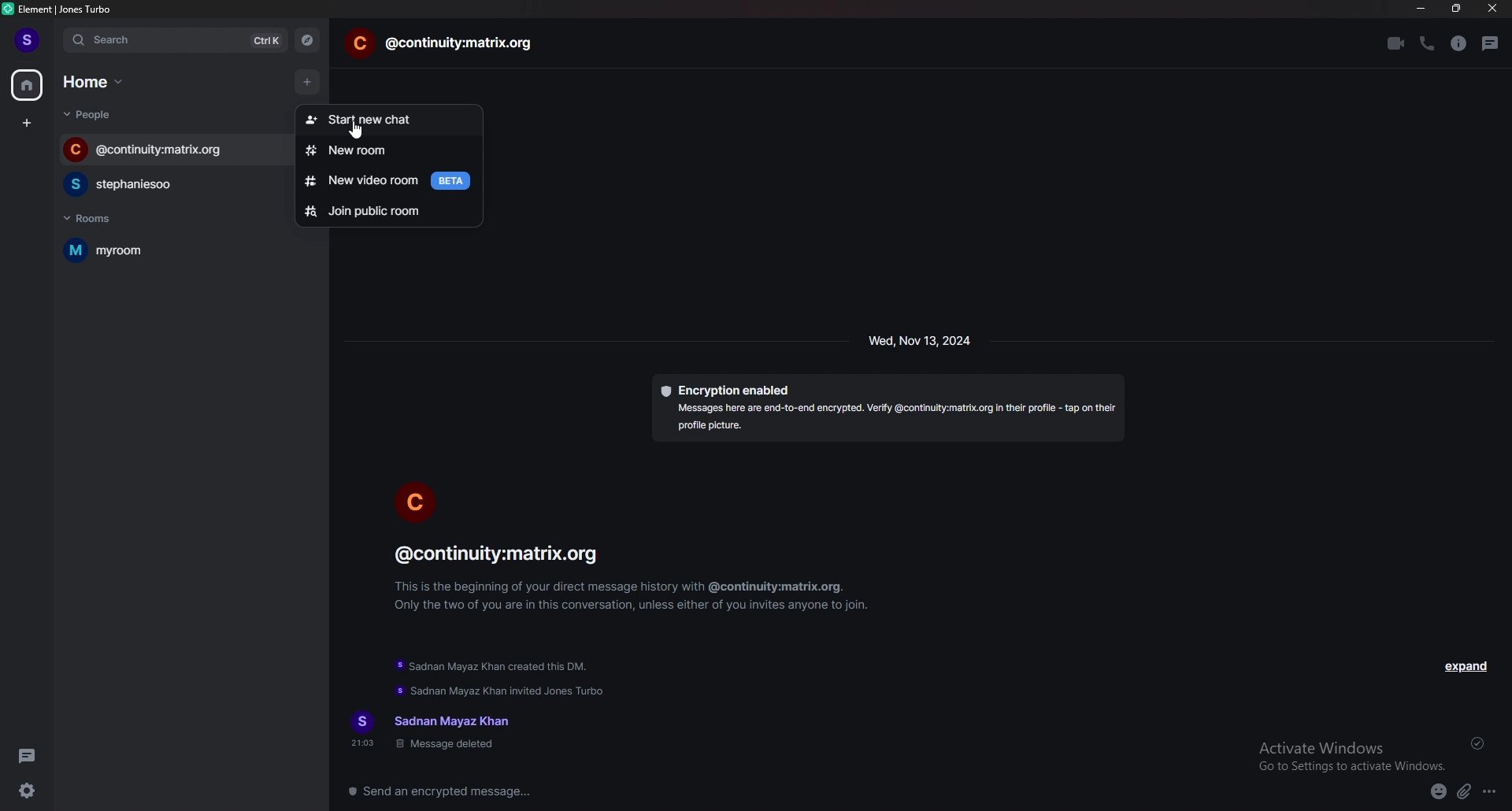 This screenshot has width=1512, height=811. What do you see at coordinates (1425, 43) in the screenshot?
I see `voice call` at bounding box center [1425, 43].